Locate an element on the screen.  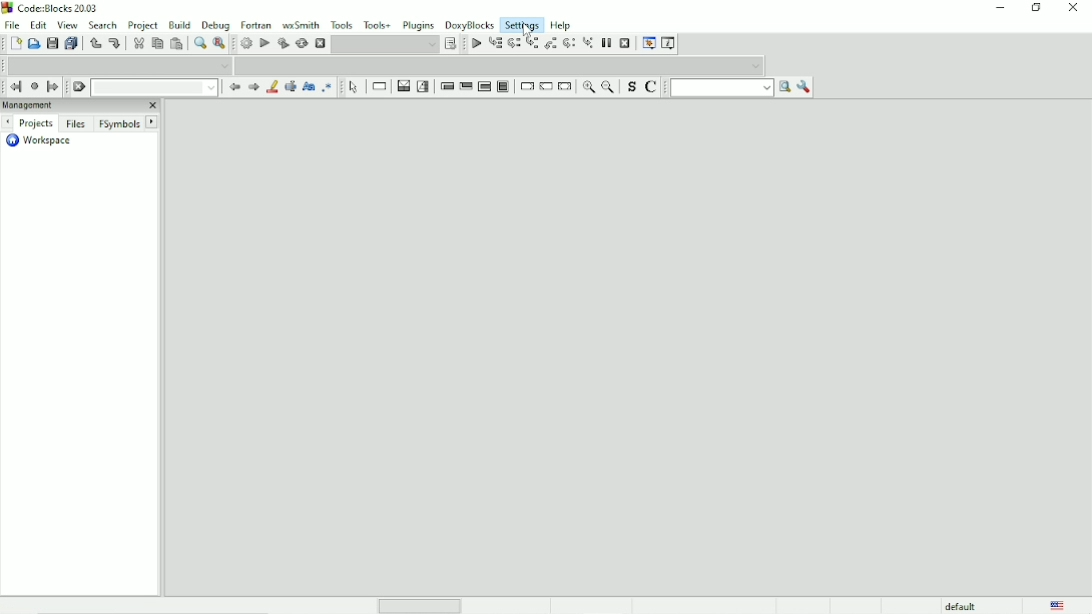
Instruction is located at coordinates (379, 87).